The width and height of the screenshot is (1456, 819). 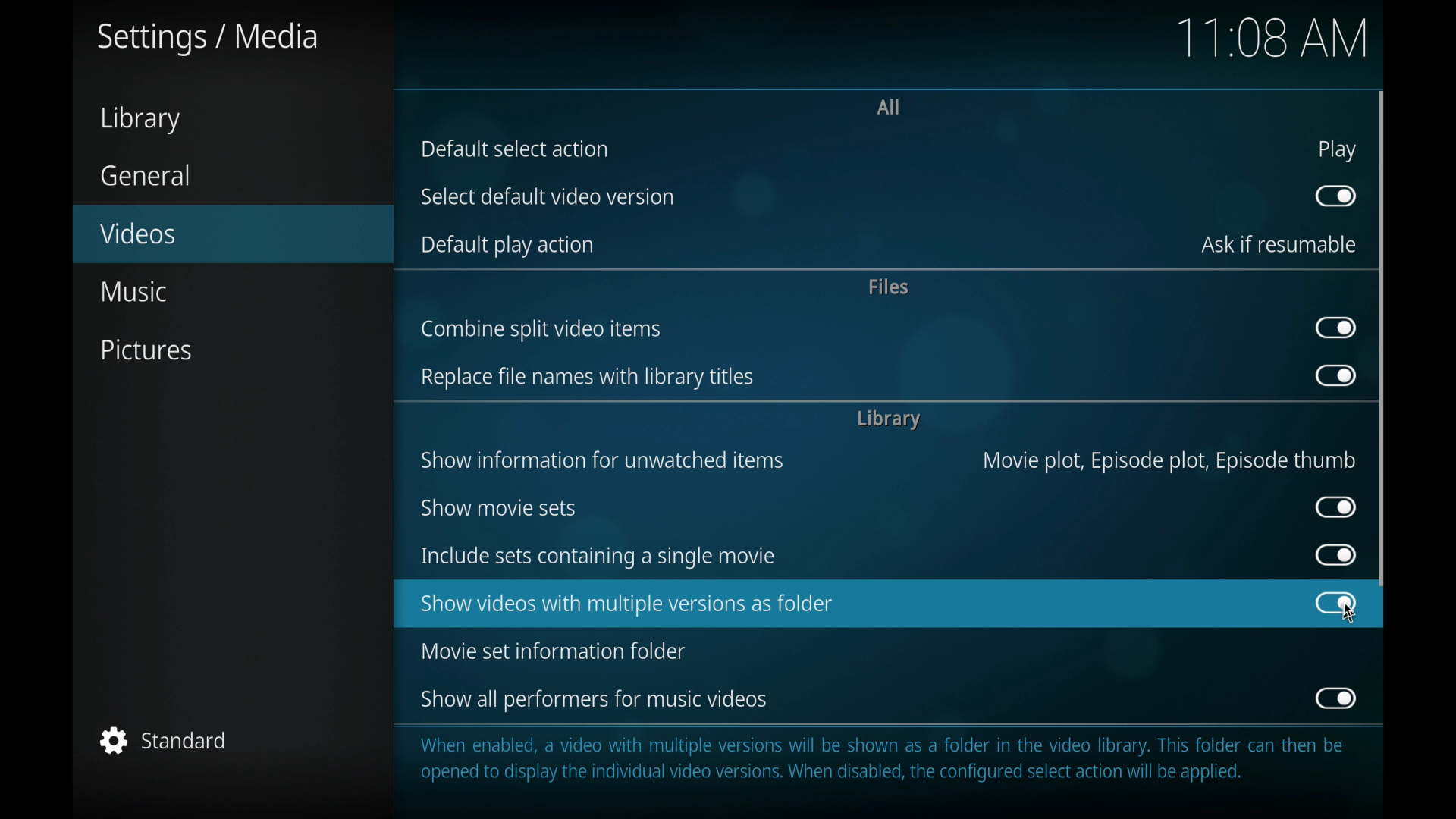 What do you see at coordinates (890, 286) in the screenshot?
I see `files` at bounding box center [890, 286].